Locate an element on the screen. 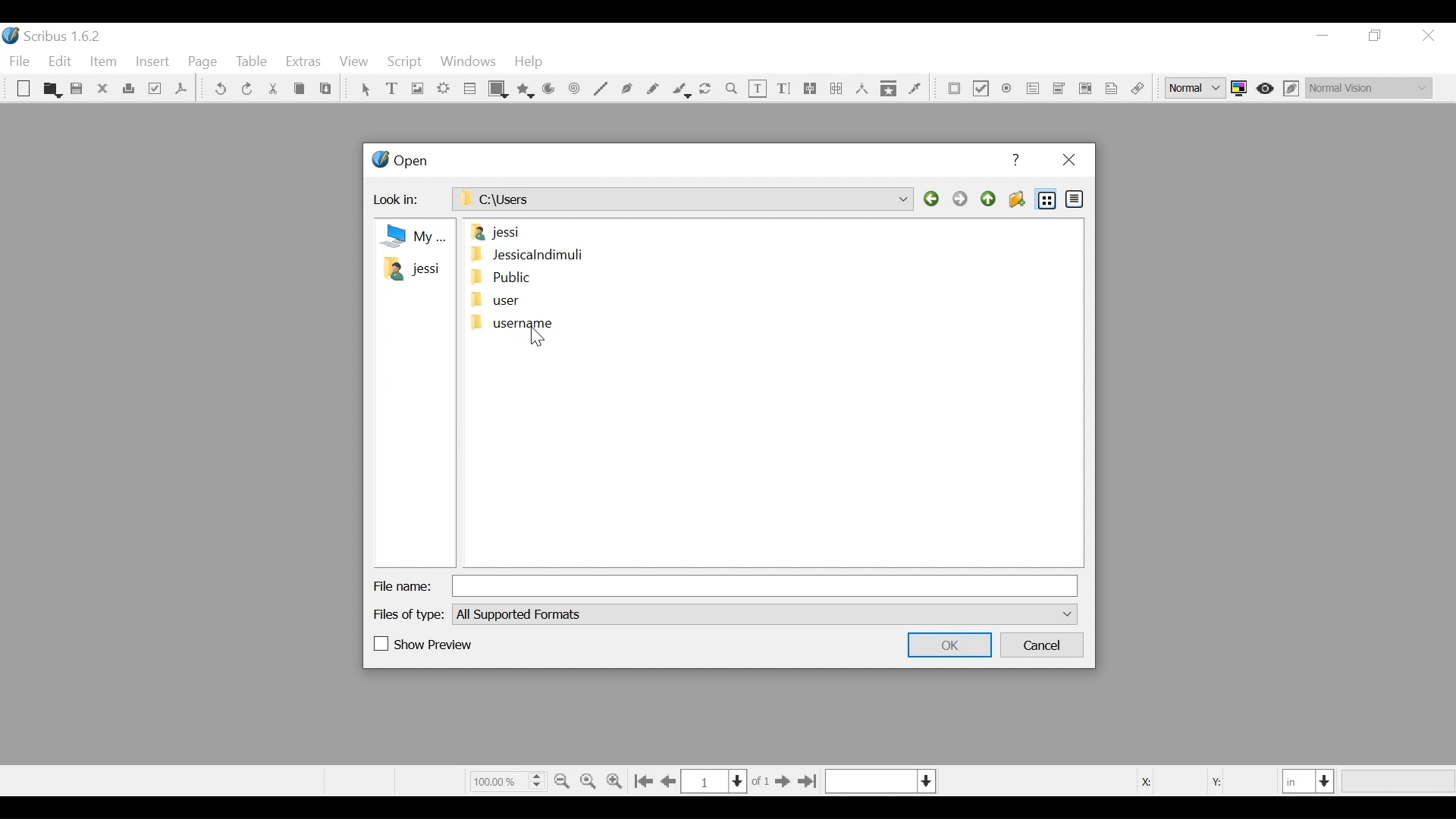  Select the current layer is located at coordinates (880, 781).